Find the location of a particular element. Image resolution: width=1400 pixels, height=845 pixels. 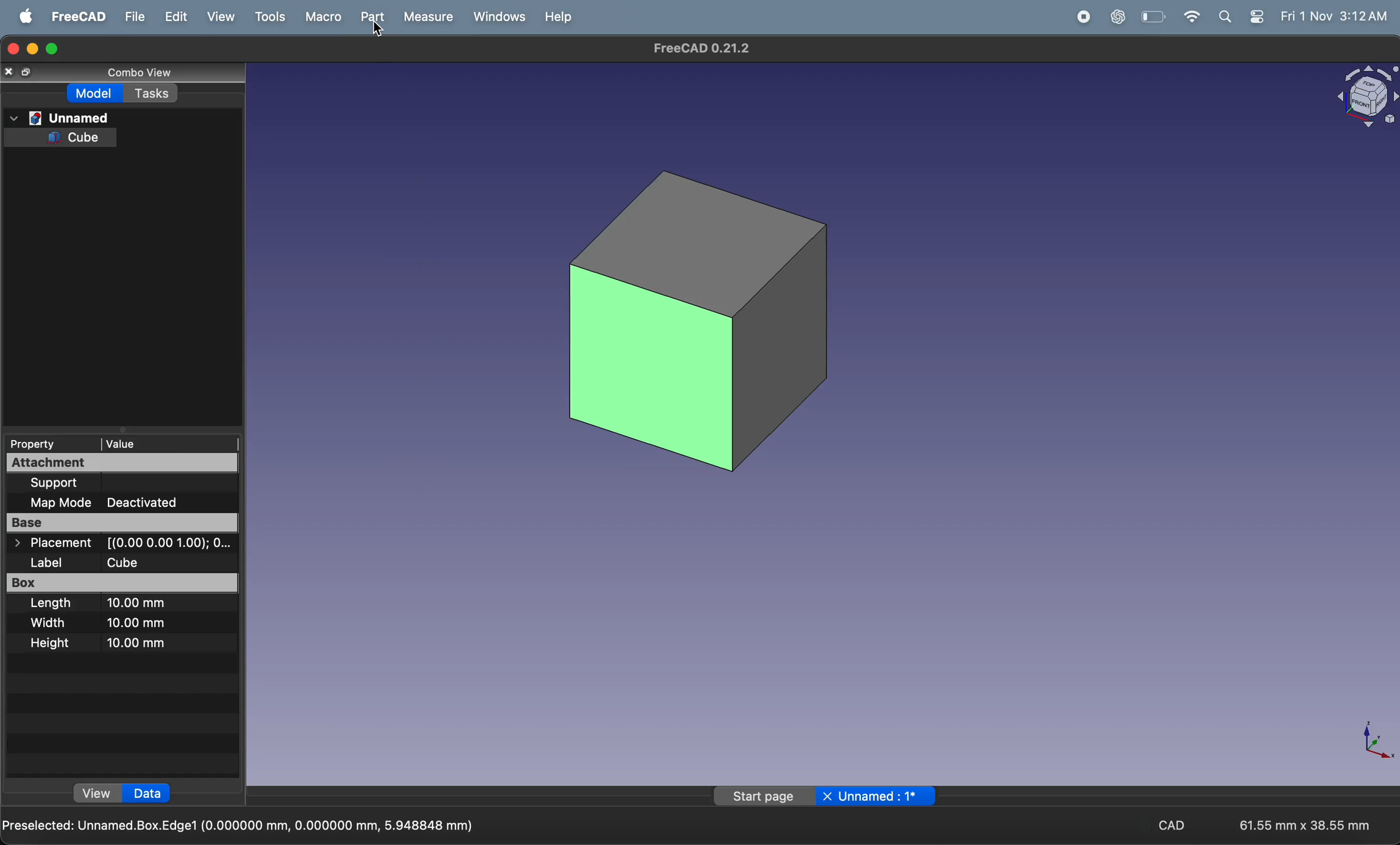

marco is located at coordinates (323, 17).